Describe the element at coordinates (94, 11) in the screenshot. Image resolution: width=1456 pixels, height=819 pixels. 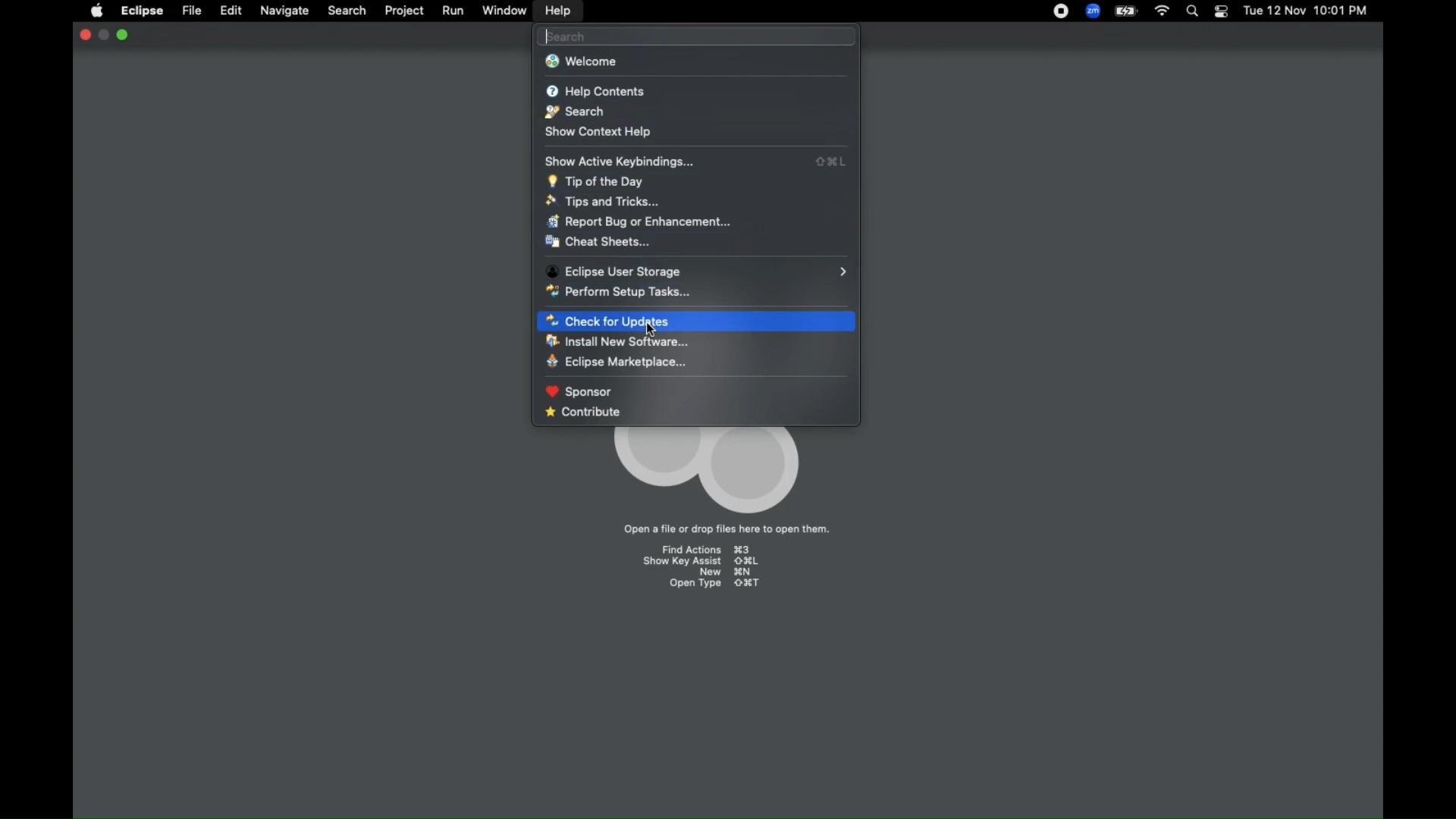
I see `Apple Desktop Icon` at that location.